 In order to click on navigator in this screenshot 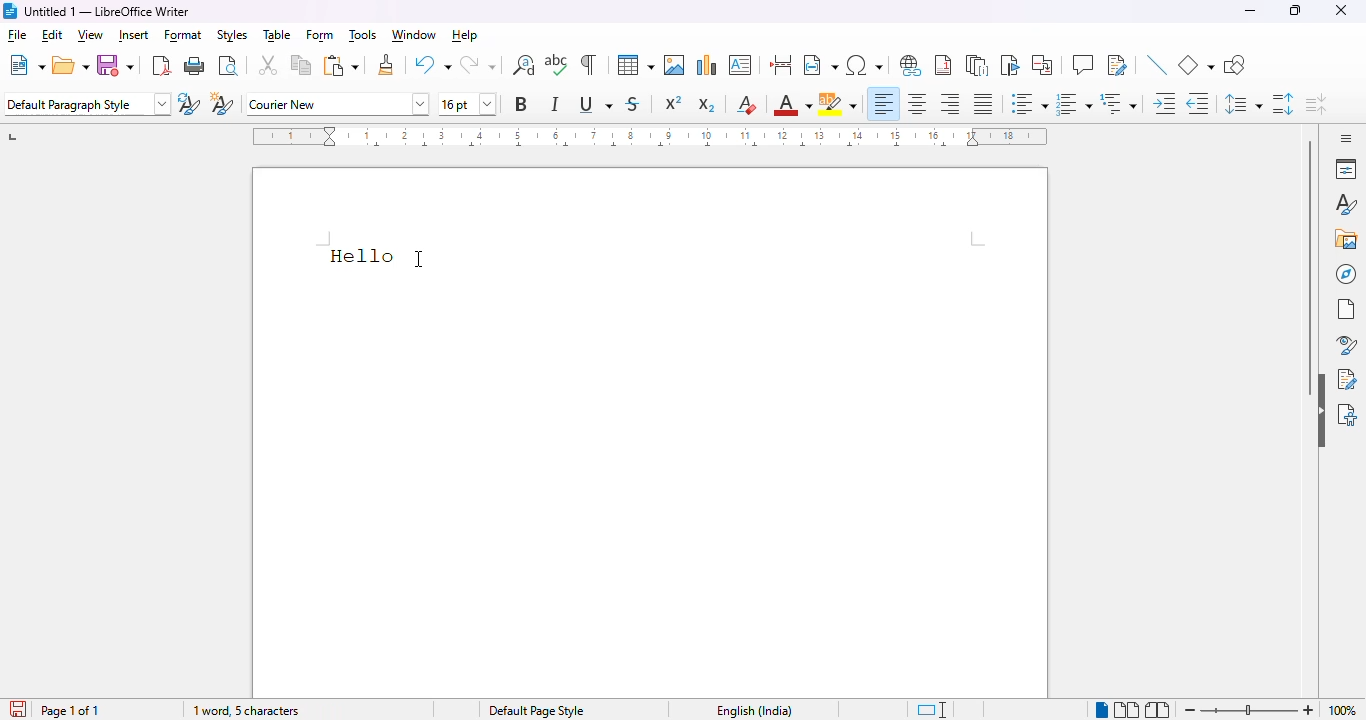, I will do `click(1347, 274)`.